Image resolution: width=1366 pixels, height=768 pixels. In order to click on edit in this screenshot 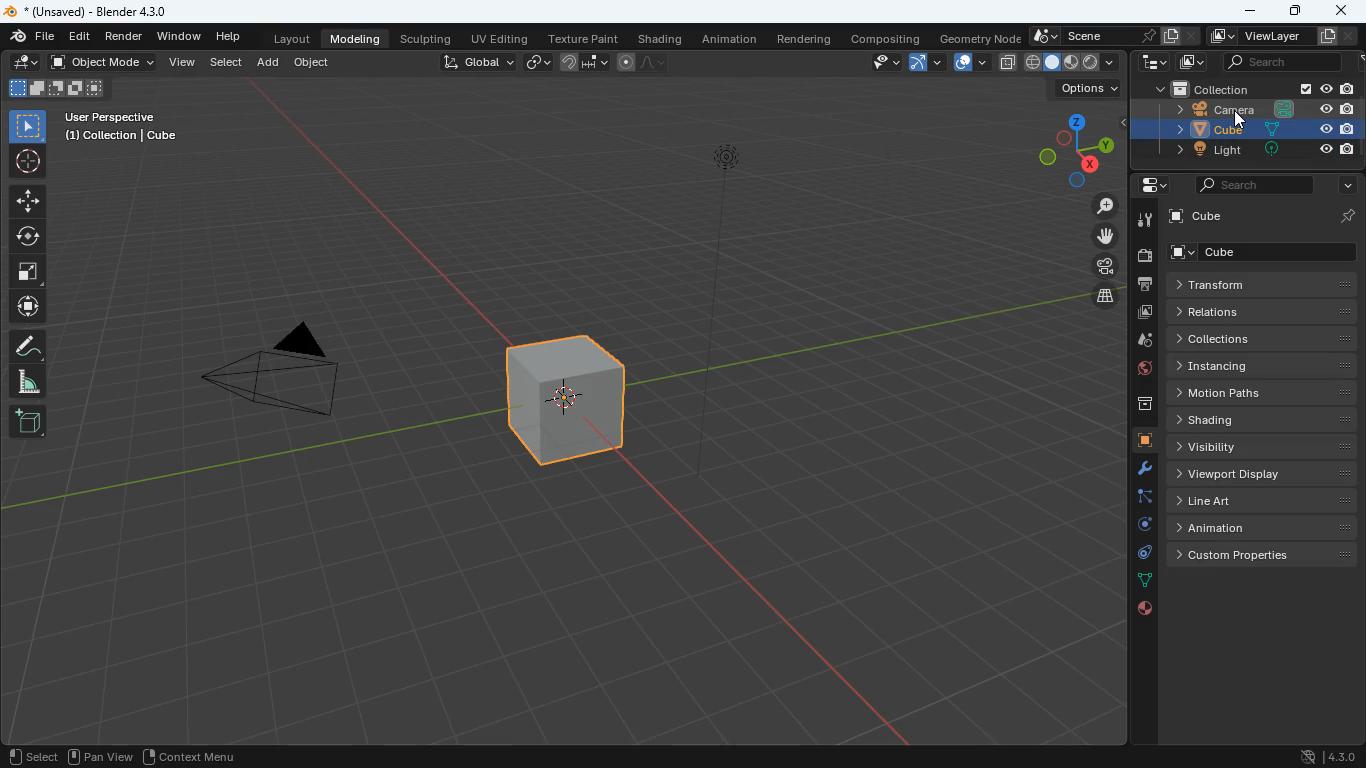, I will do `click(80, 36)`.